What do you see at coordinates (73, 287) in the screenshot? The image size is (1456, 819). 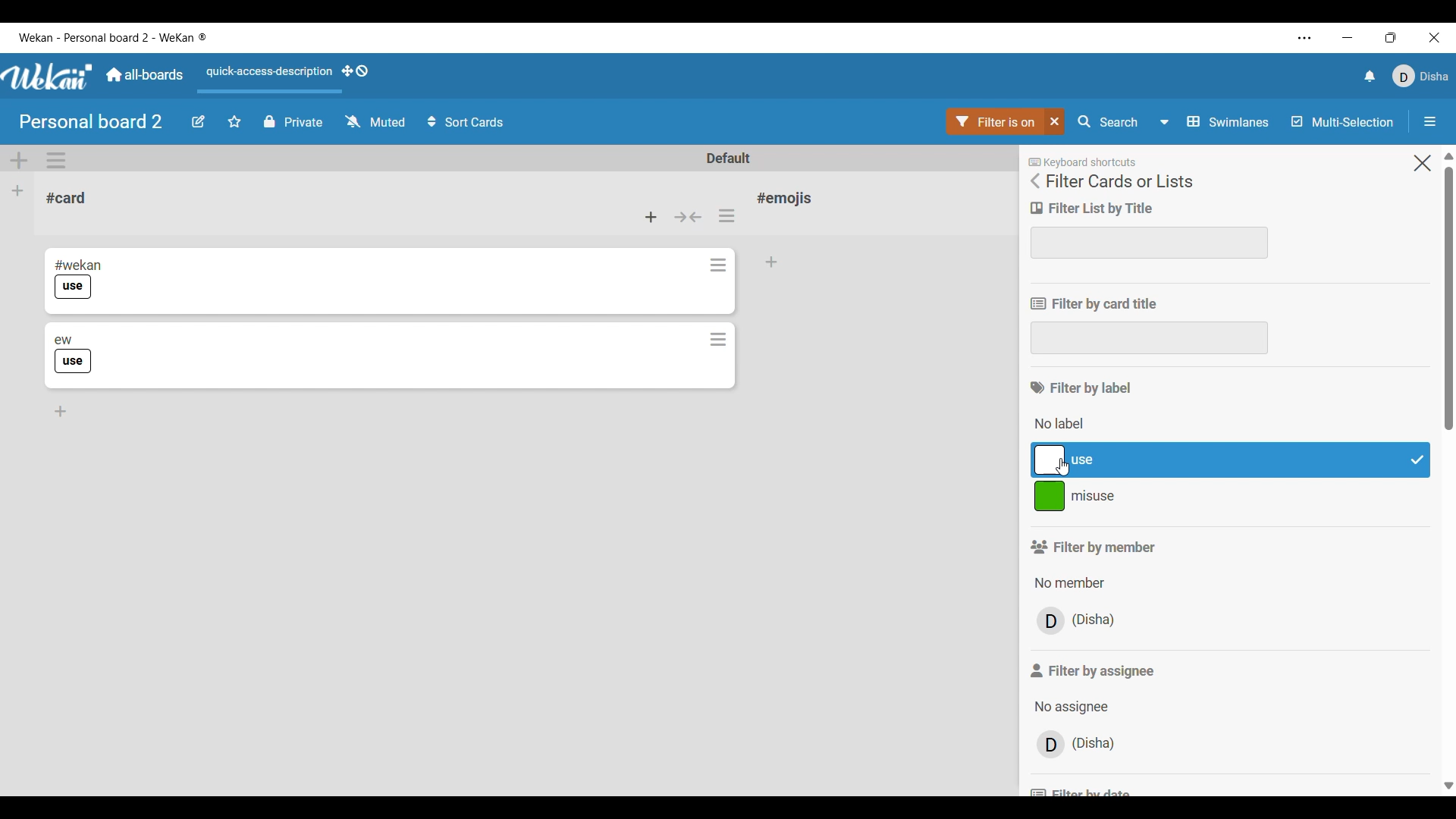 I see `use` at bounding box center [73, 287].